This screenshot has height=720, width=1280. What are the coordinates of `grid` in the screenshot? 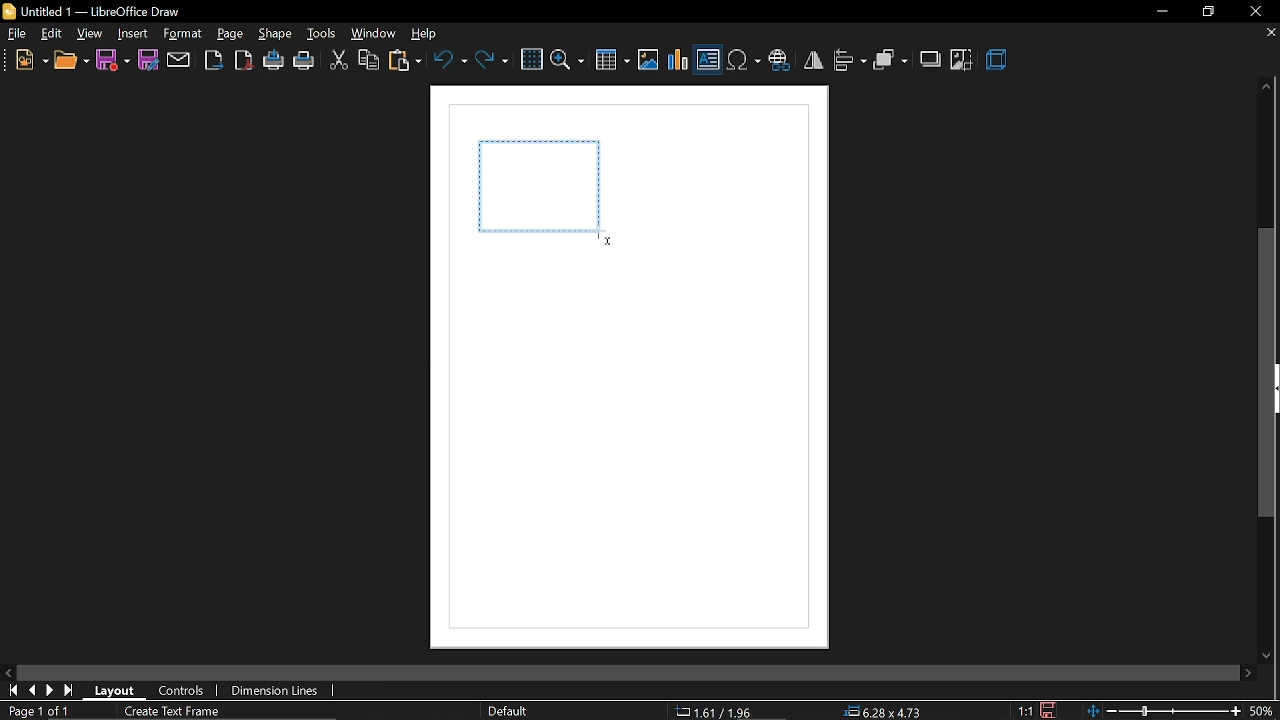 It's located at (531, 60).